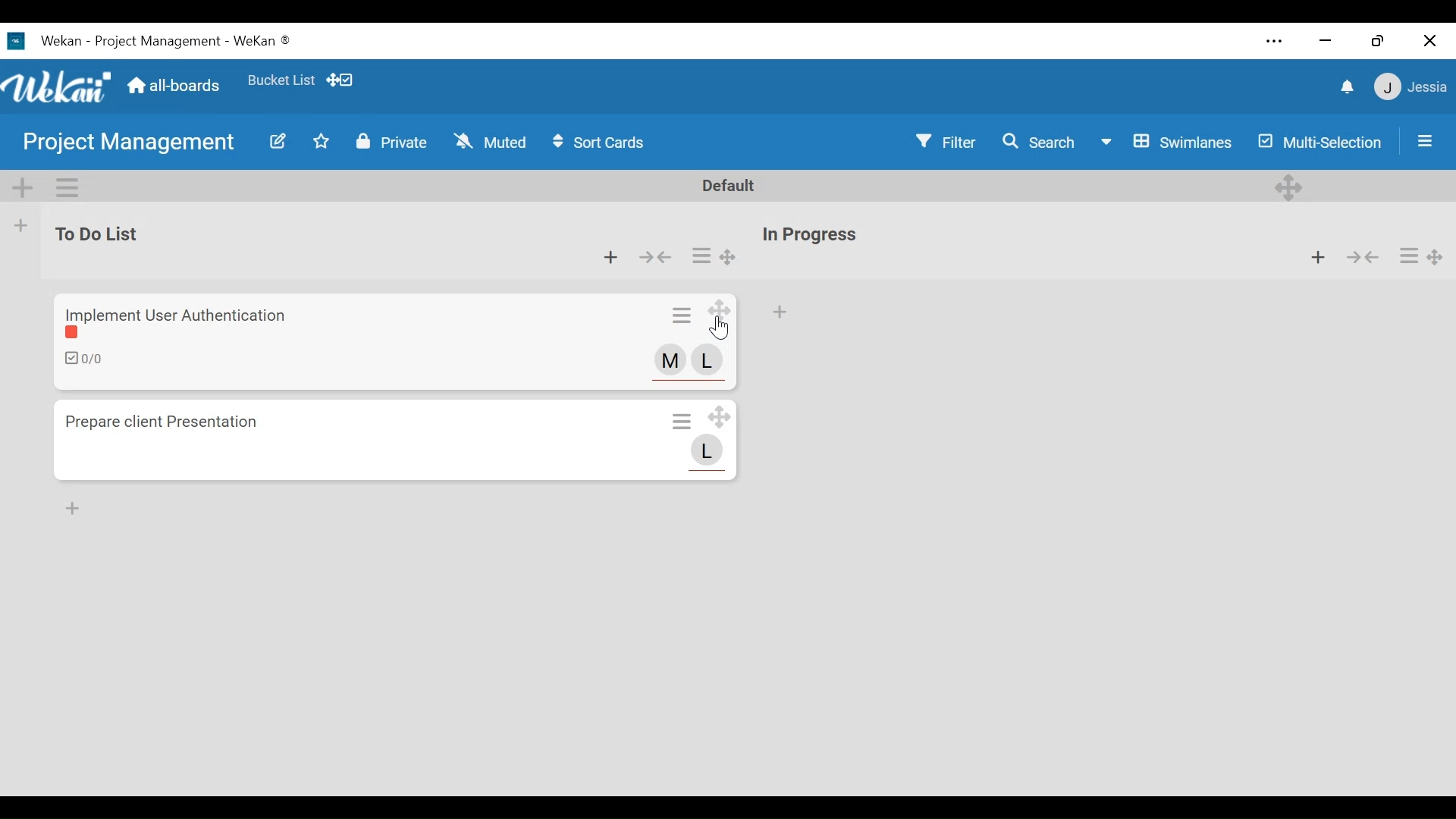 This screenshot has width=1456, height=819. Describe the element at coordinates (600, 142) in the screenshot. I see `Sort Cards` at that location.